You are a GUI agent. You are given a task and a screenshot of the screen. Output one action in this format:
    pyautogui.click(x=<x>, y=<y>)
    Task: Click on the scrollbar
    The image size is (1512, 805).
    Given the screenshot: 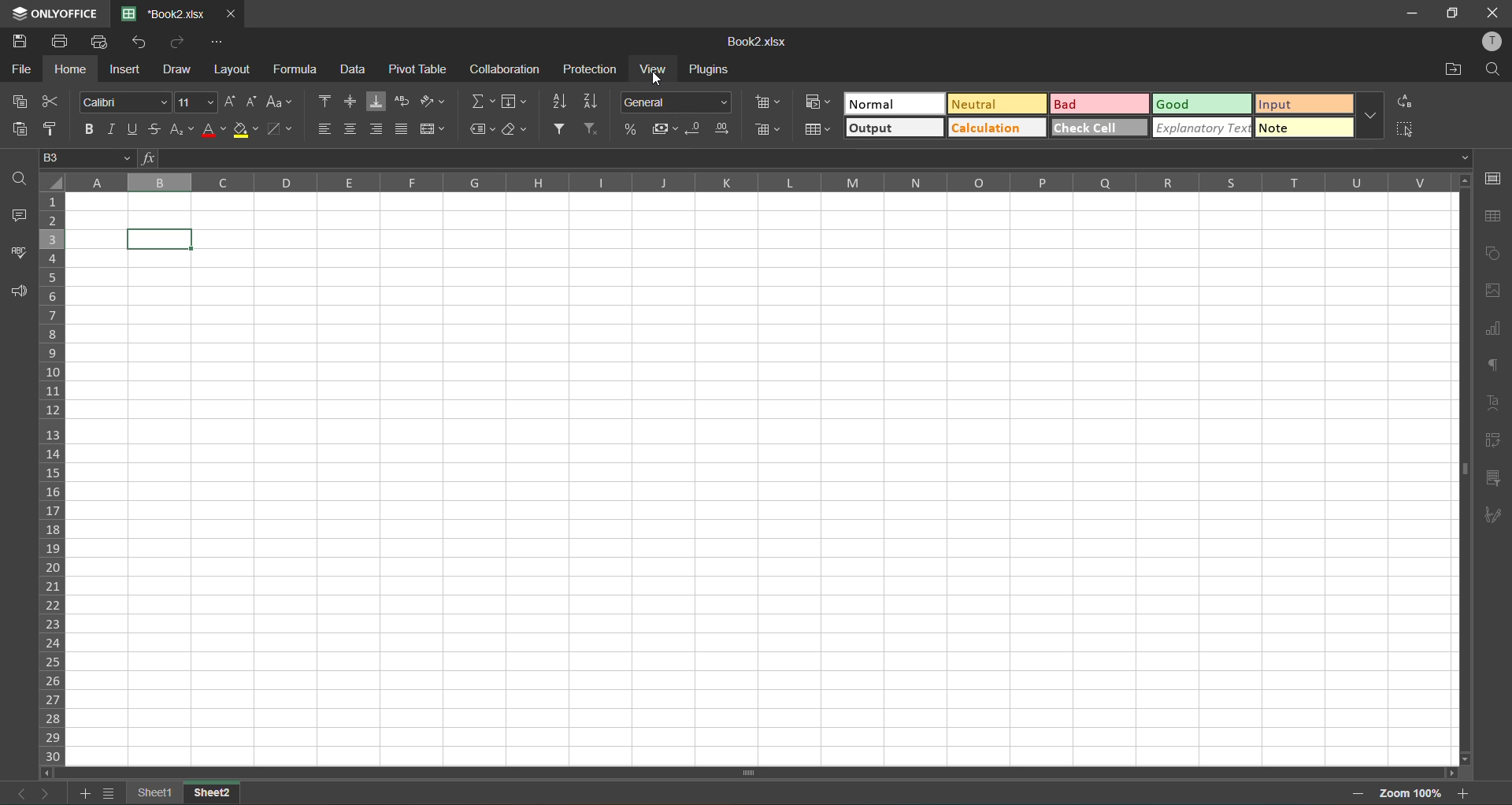 What is the action you would take?
    pyautogui.click(x=750, y=773)
    